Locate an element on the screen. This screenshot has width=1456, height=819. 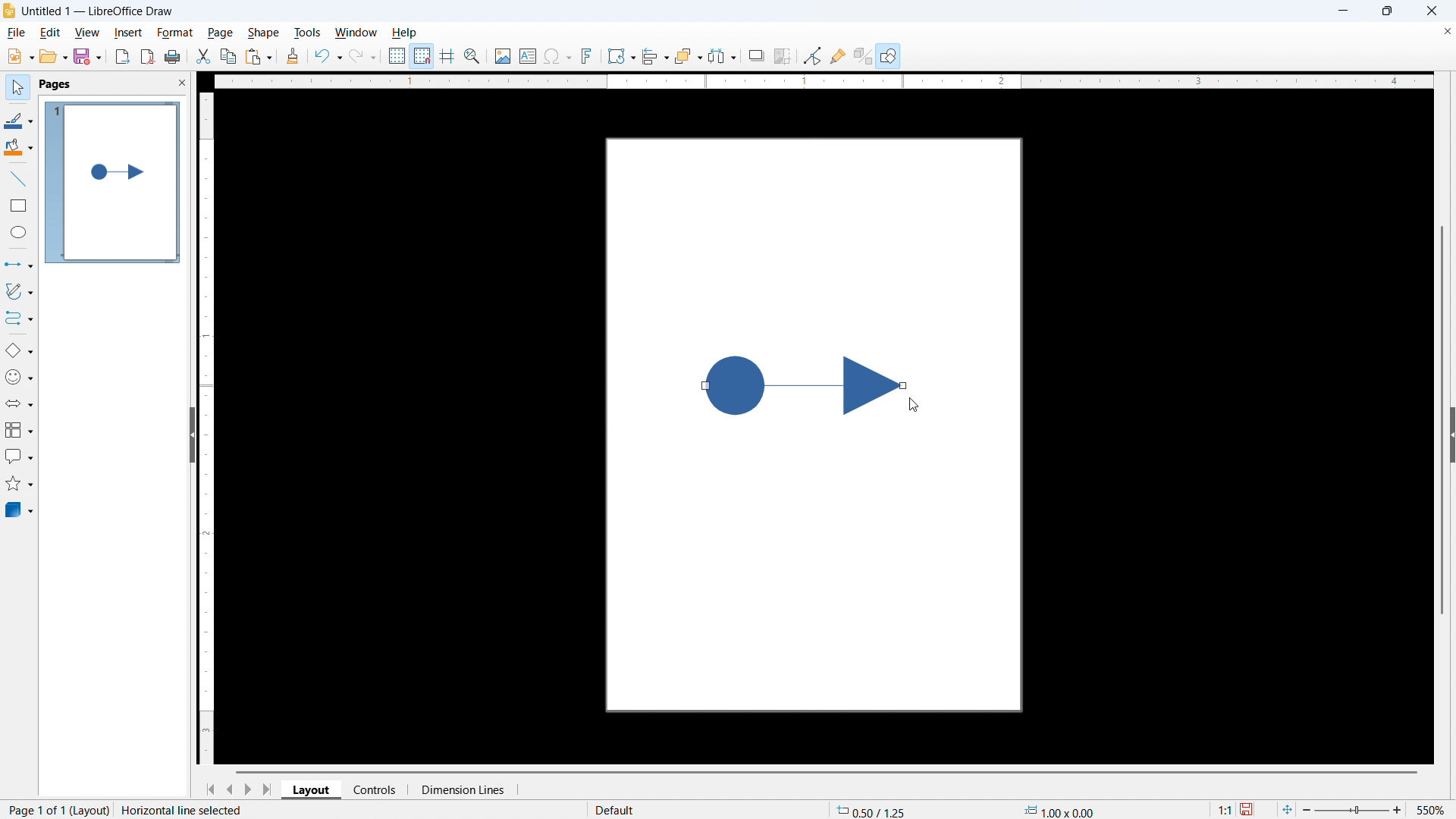
Page 1 of 1 (layout) is located at coordinates (55, 808).